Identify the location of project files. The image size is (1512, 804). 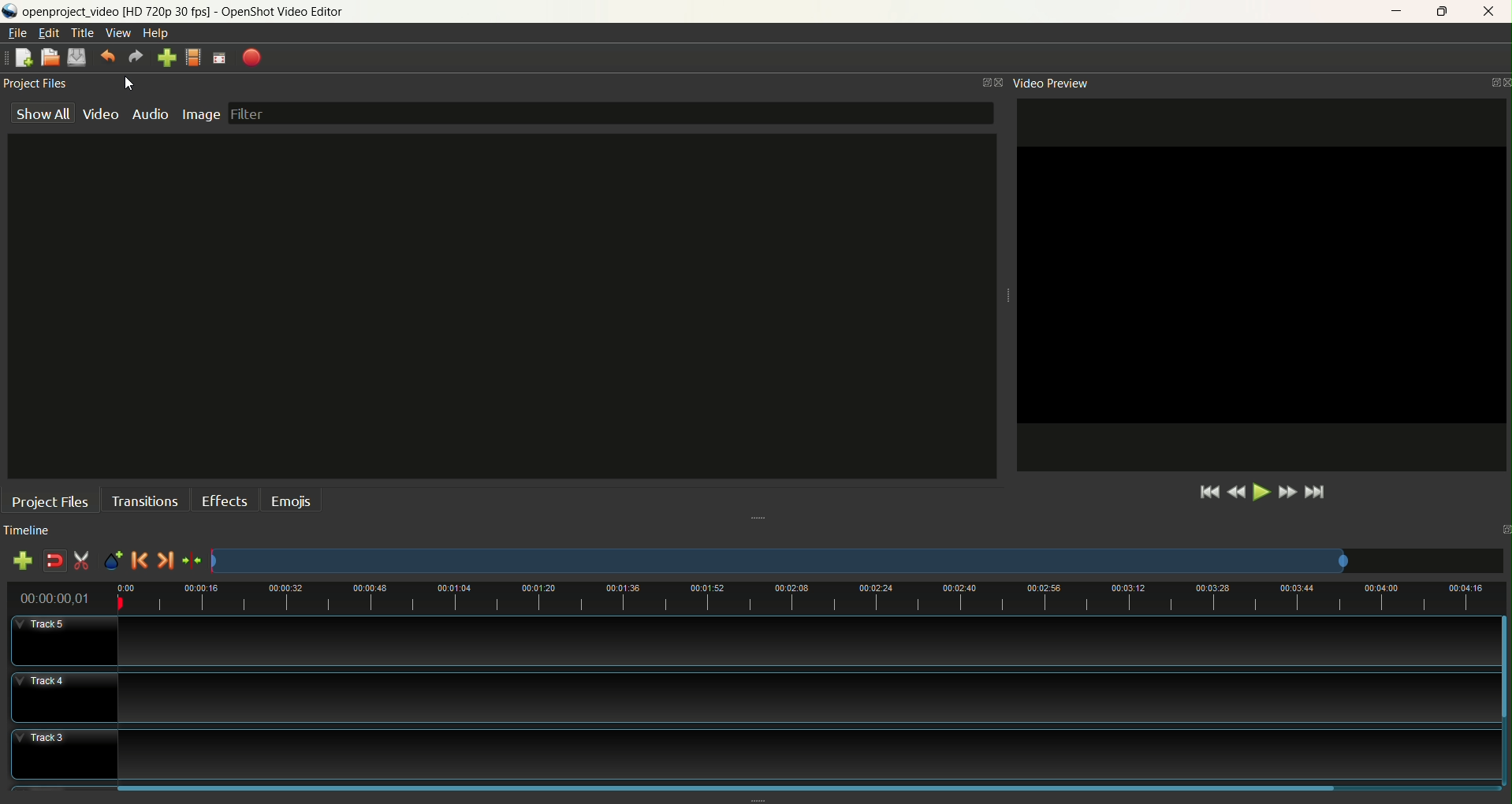
(52, 498).